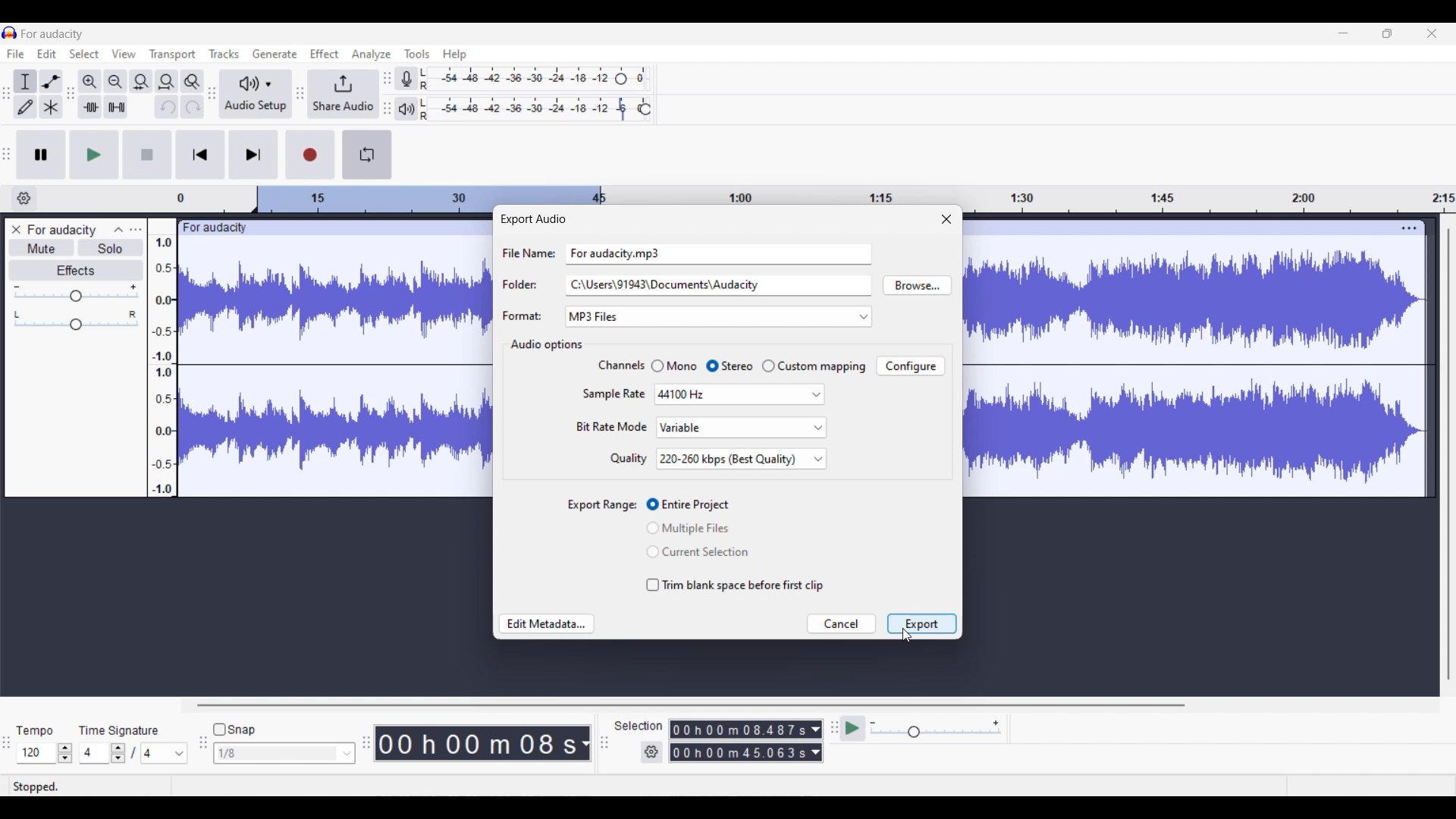  What do you see at coordinates (193, 106) in the screenshot?
I see `Redo` at bounding box center [193, 106].